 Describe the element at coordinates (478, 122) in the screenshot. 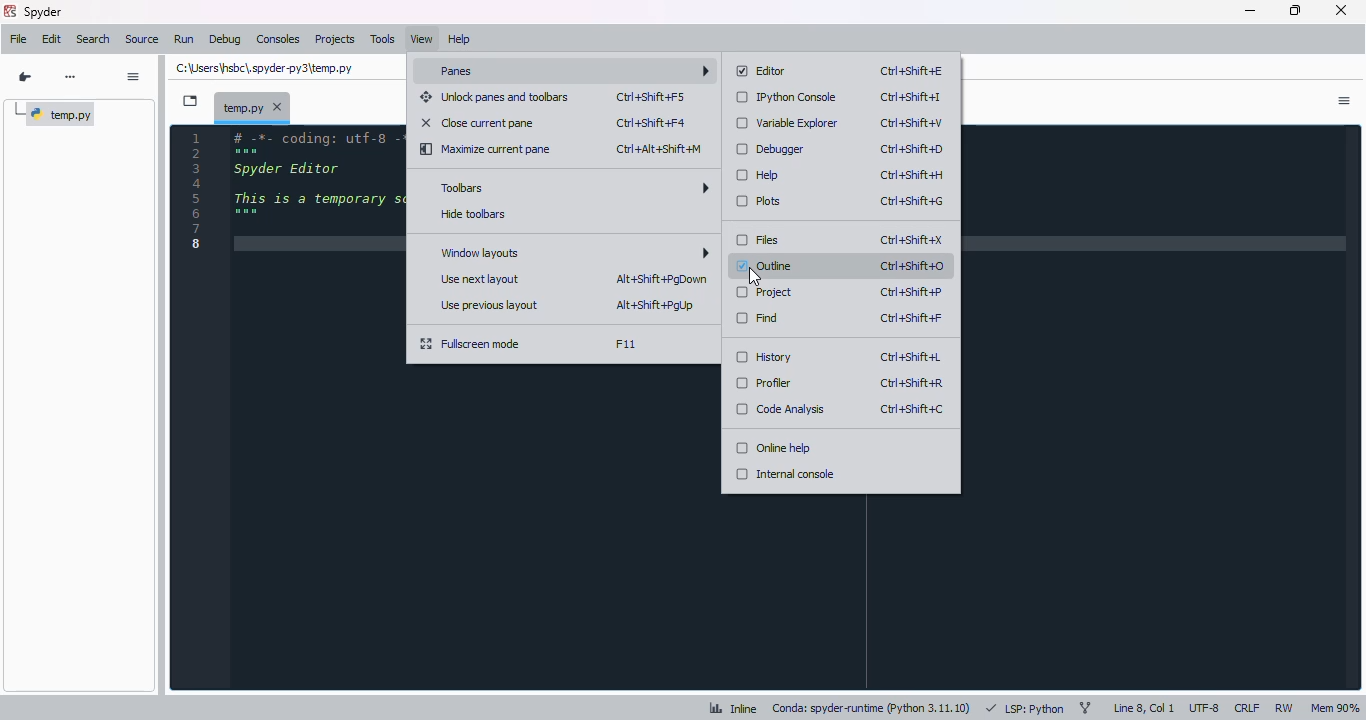

I see `close current pane` at that location.